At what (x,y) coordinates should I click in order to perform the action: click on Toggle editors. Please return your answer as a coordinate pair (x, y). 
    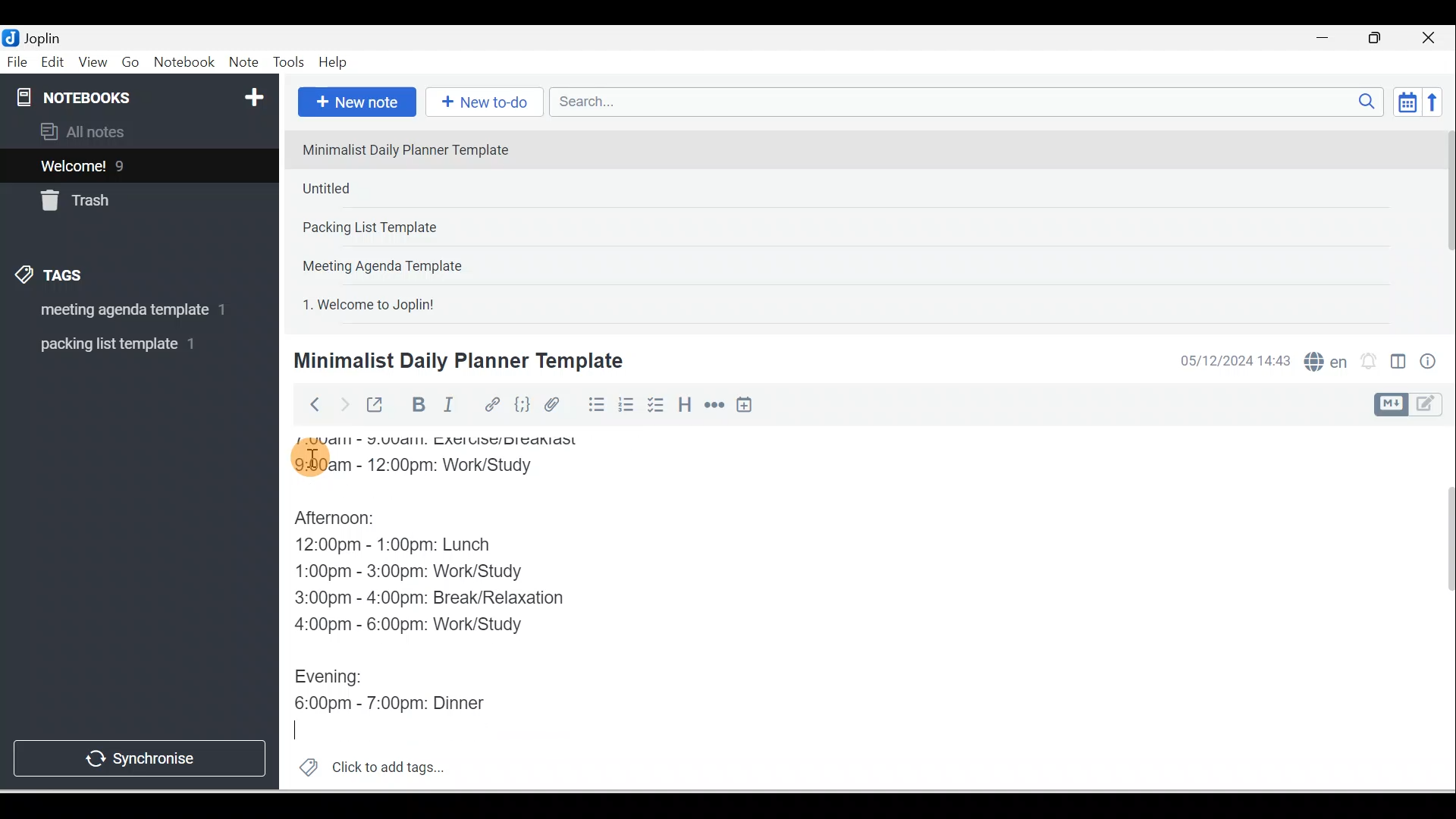
    Looking at the image, I should click on (1398, 364).